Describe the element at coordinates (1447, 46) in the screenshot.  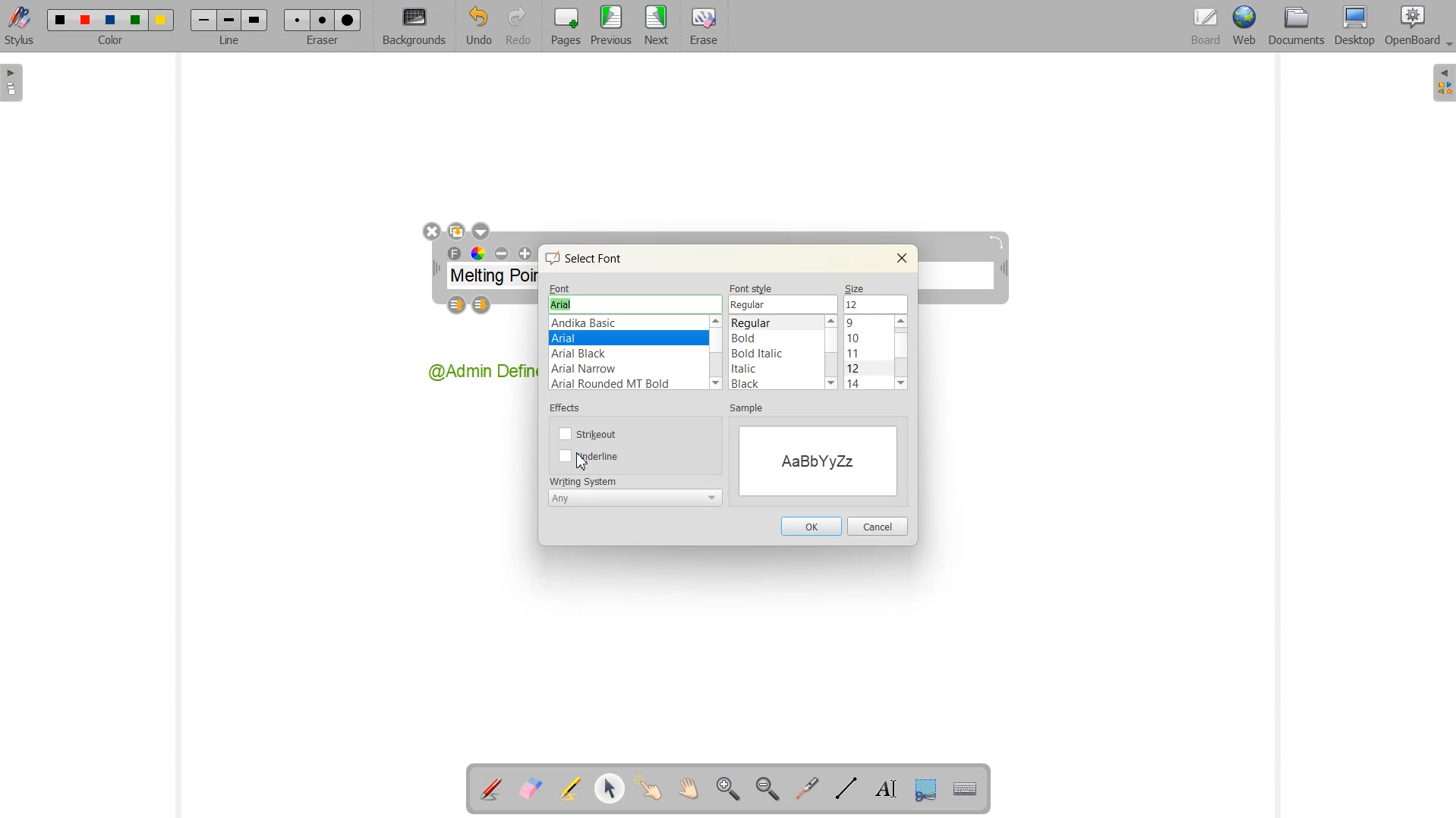
I see `Dropdown box` at that location.